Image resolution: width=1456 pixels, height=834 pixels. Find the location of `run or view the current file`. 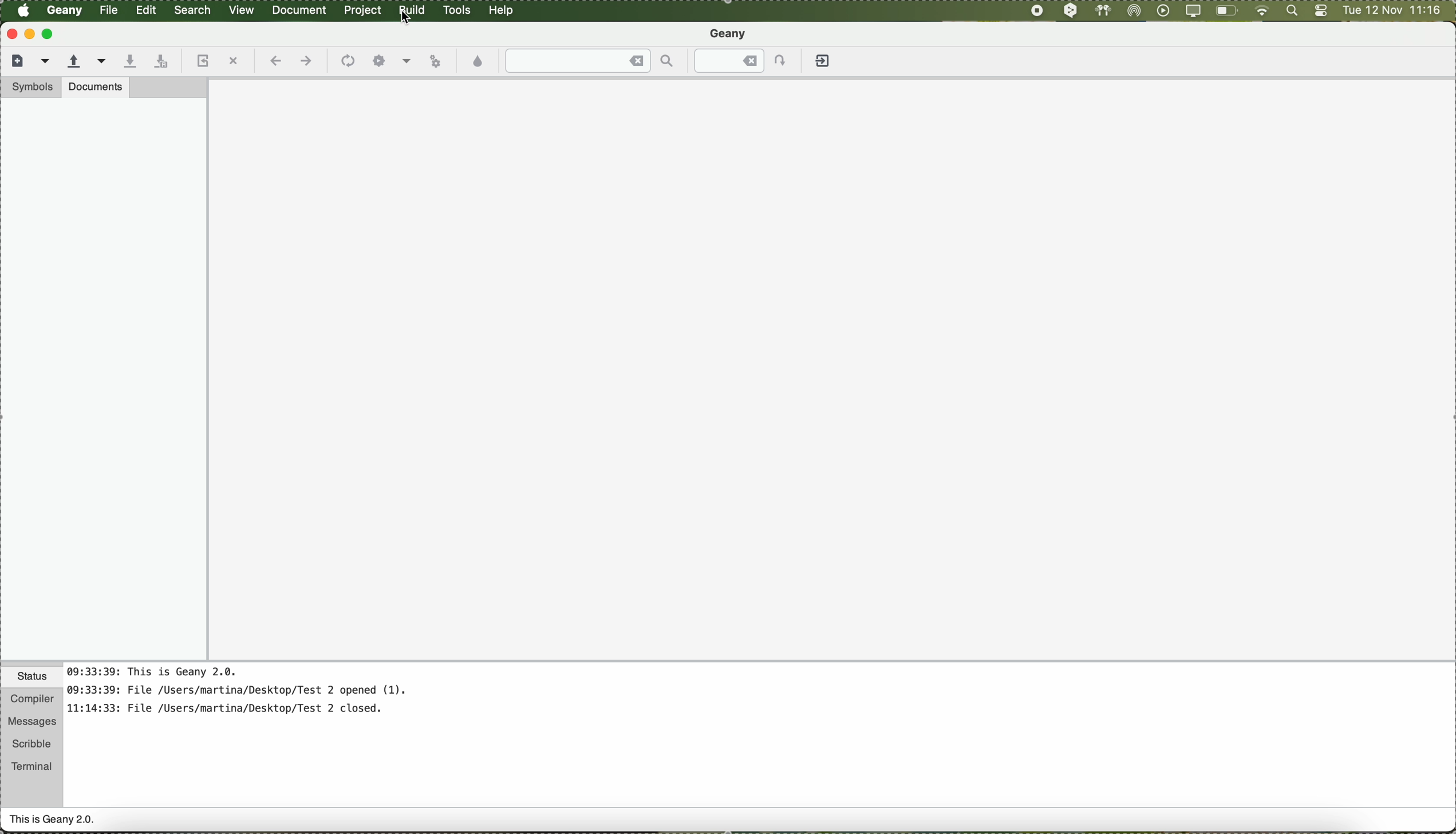

run or view the current file is located at coordinates (435, 60).